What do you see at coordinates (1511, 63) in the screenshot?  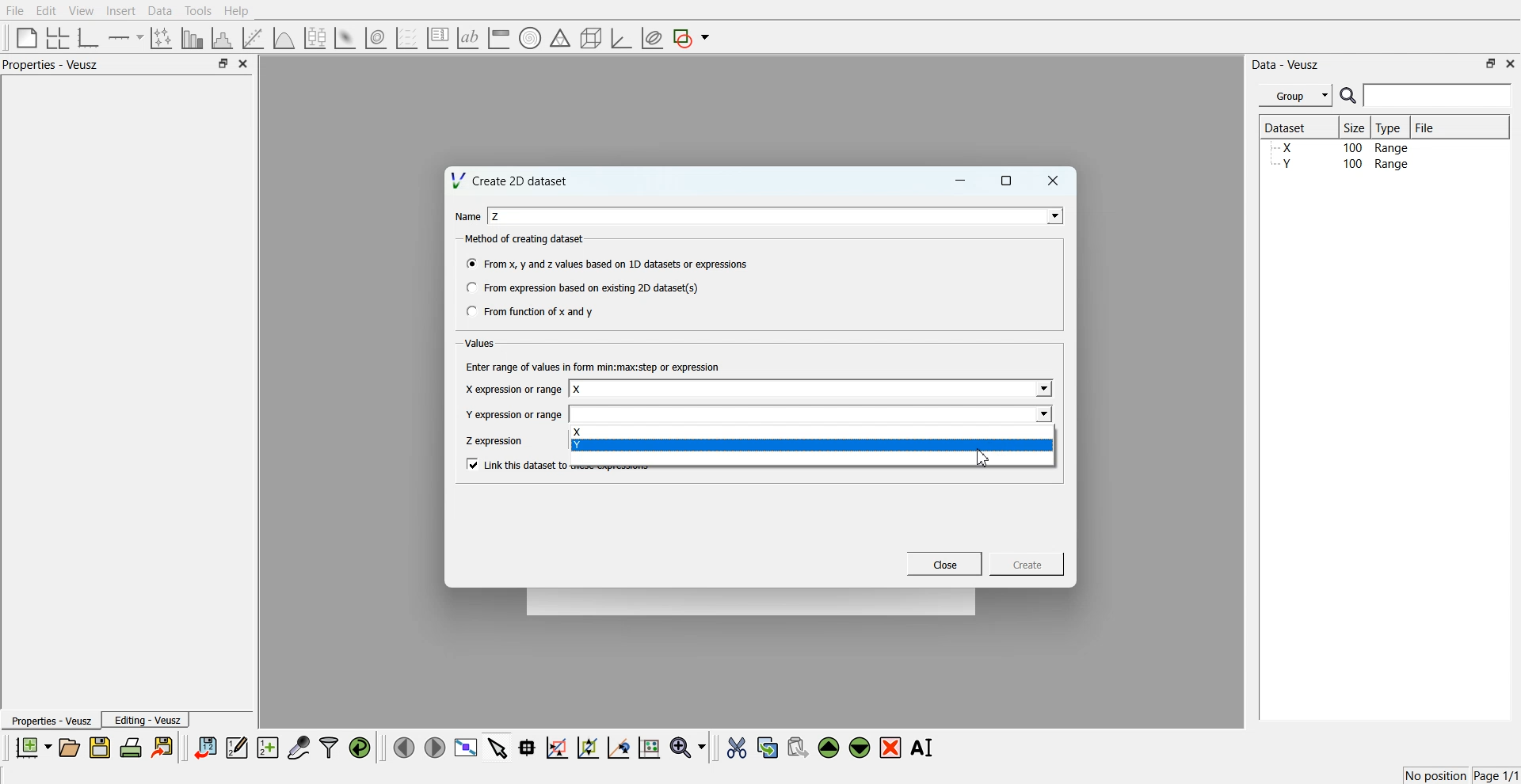 I see `Close` at bounding box center [1511, 63].